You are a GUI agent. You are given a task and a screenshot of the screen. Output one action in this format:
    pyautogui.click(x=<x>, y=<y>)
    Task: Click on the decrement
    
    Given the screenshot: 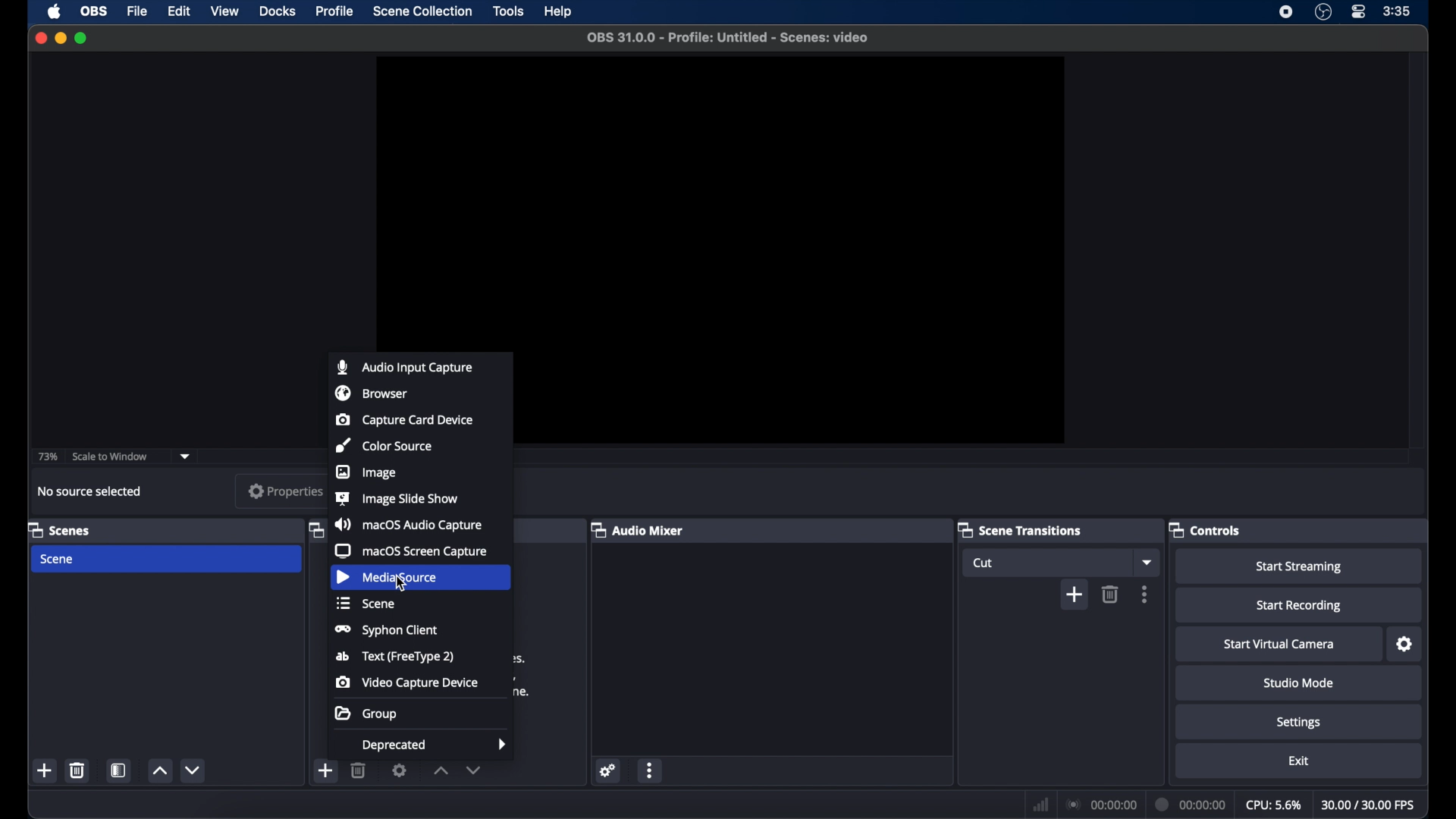 What is the action you would take?
    pyautogui.click(x=474, y=770)
    